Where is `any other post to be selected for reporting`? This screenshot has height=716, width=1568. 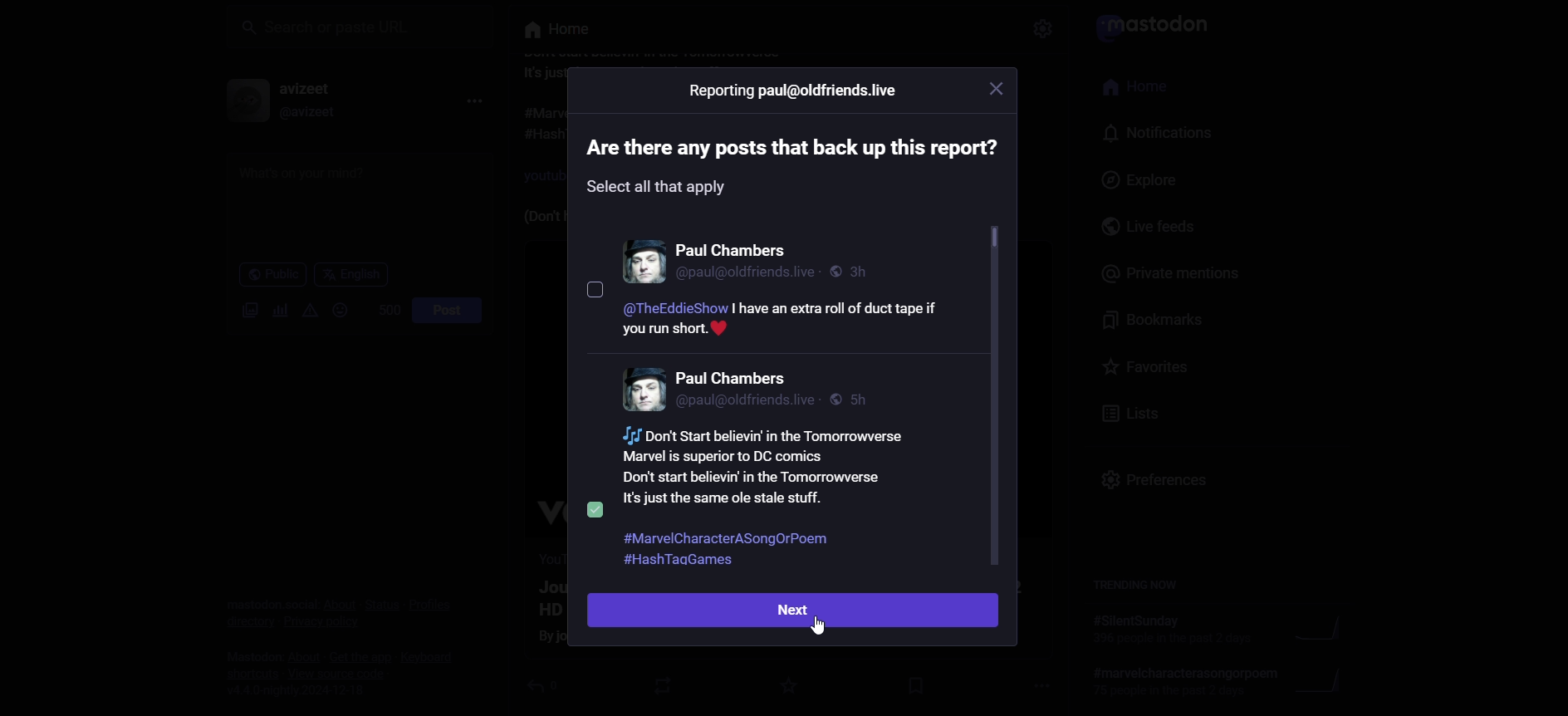
any other post to be selected for reporting is located at coordinates (640, 390).